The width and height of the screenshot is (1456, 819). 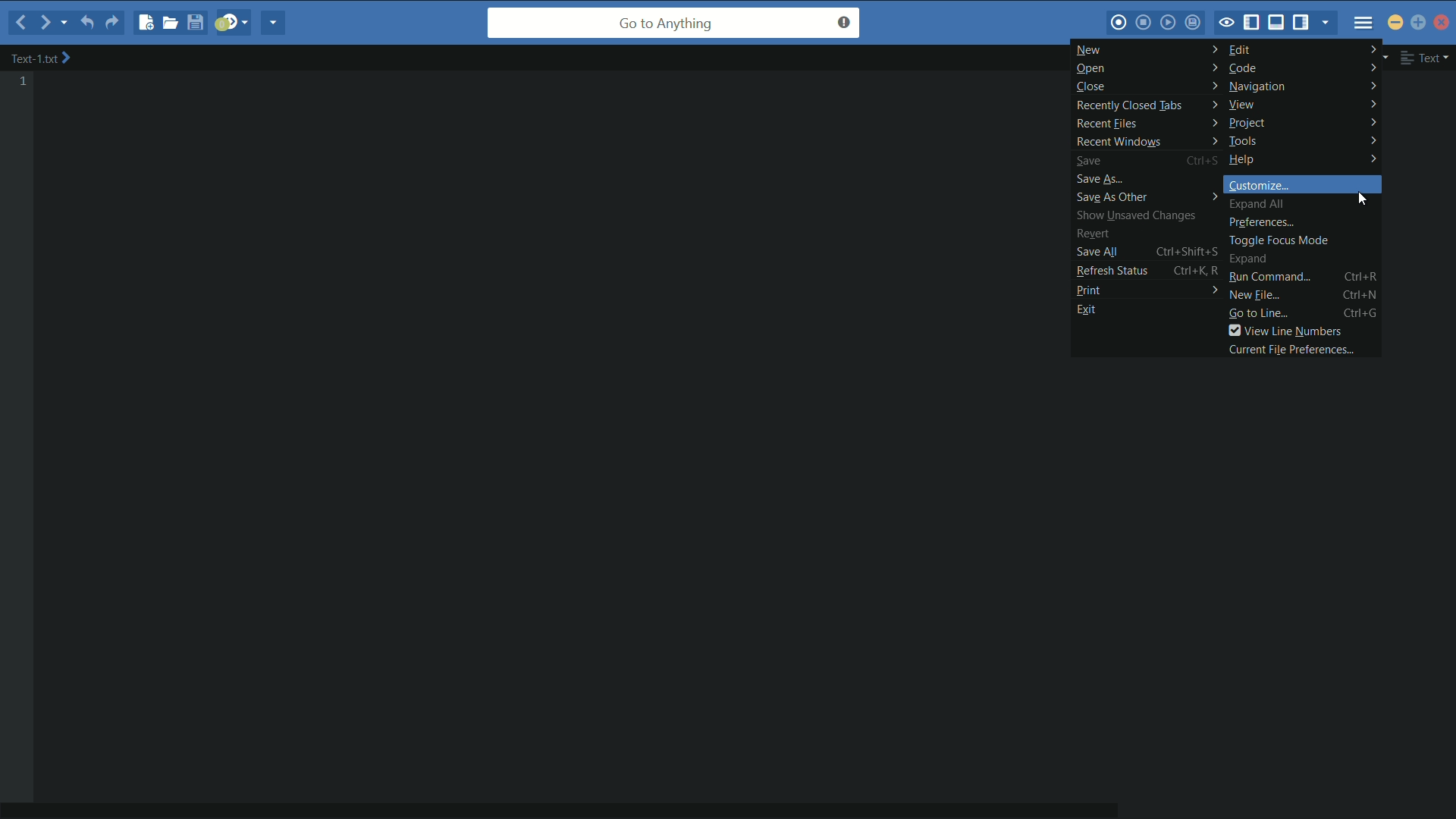 I want to click on view, so click(x=1301, y=105).